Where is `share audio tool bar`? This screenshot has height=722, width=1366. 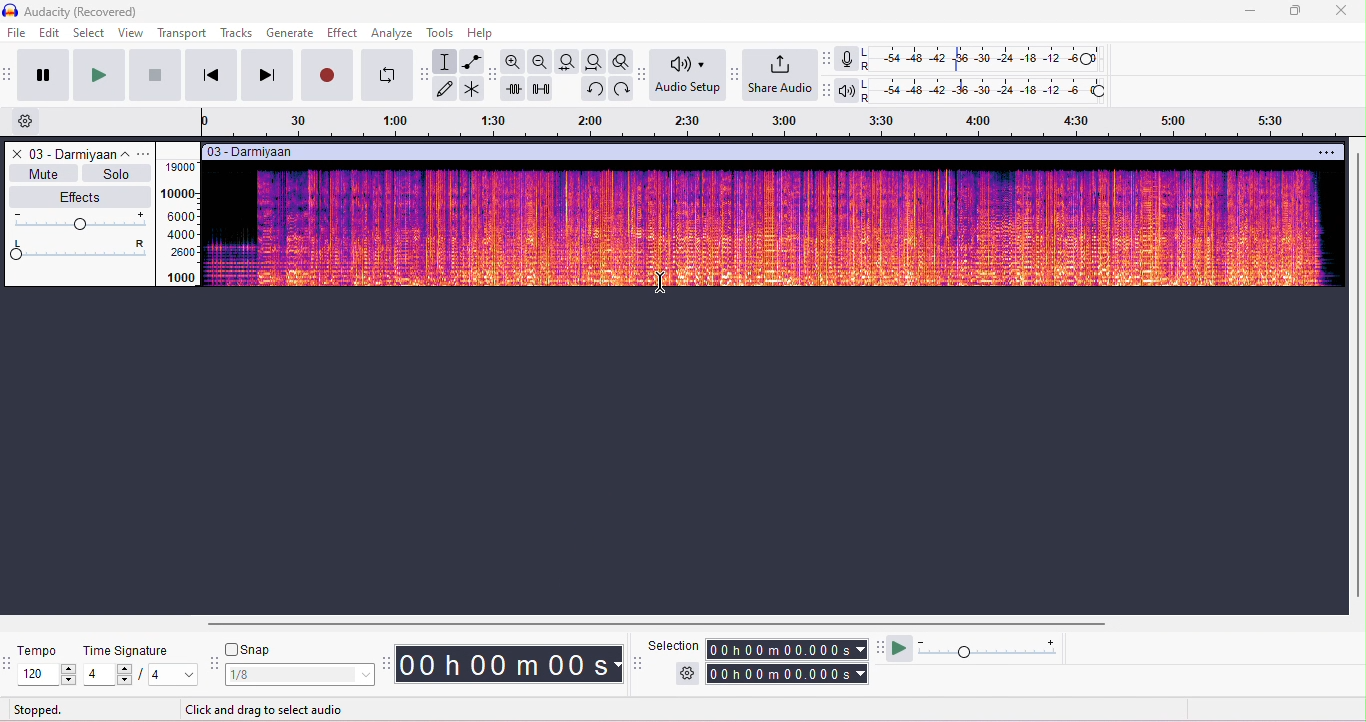 share audio tool bar is located at coordinates (736, 74).